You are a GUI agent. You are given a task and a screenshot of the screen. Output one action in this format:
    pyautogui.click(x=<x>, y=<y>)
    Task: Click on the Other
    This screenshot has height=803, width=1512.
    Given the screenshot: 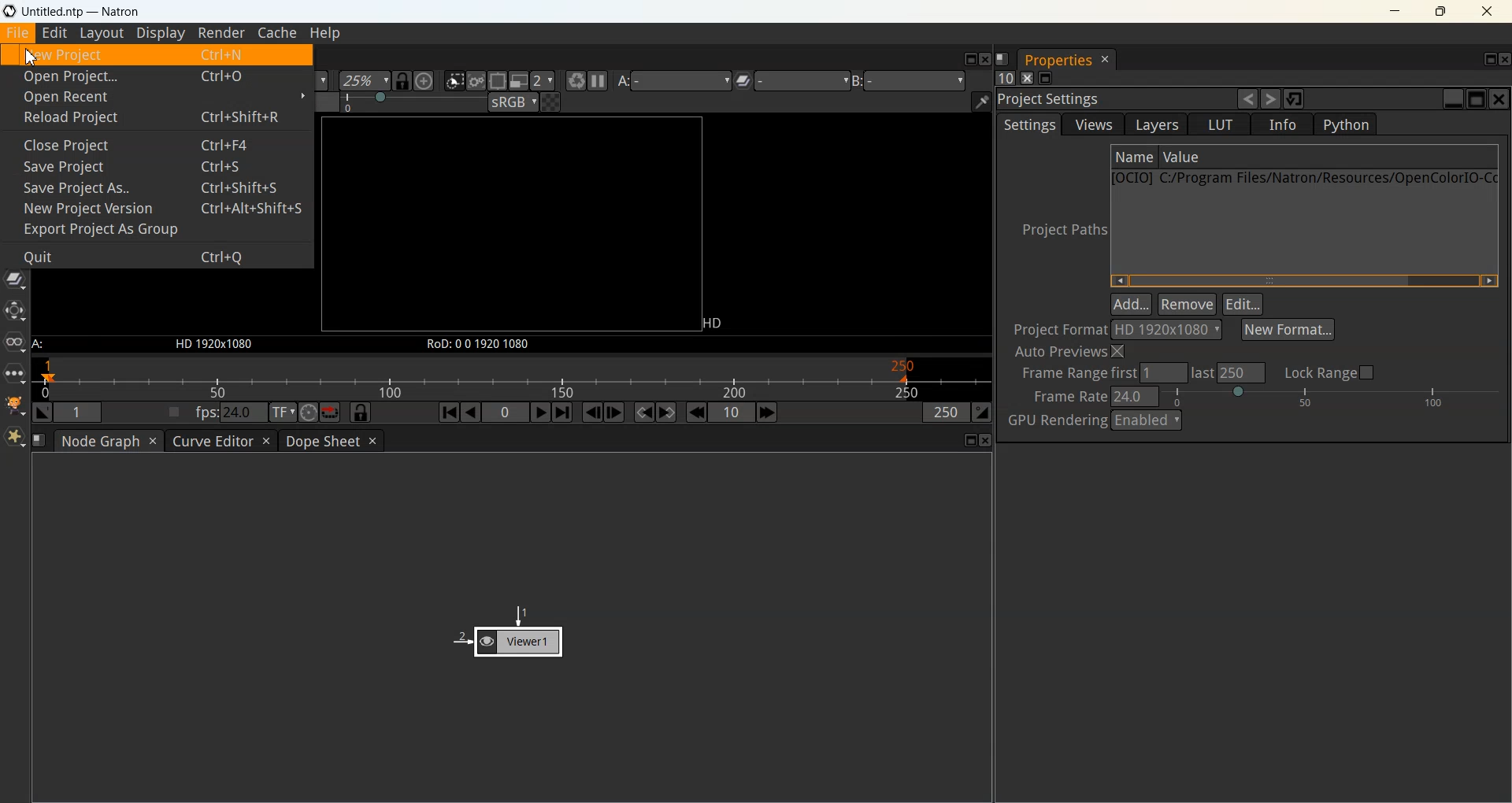 What is the action you would take?
    pyautogui.click(x=15, y=373)
    